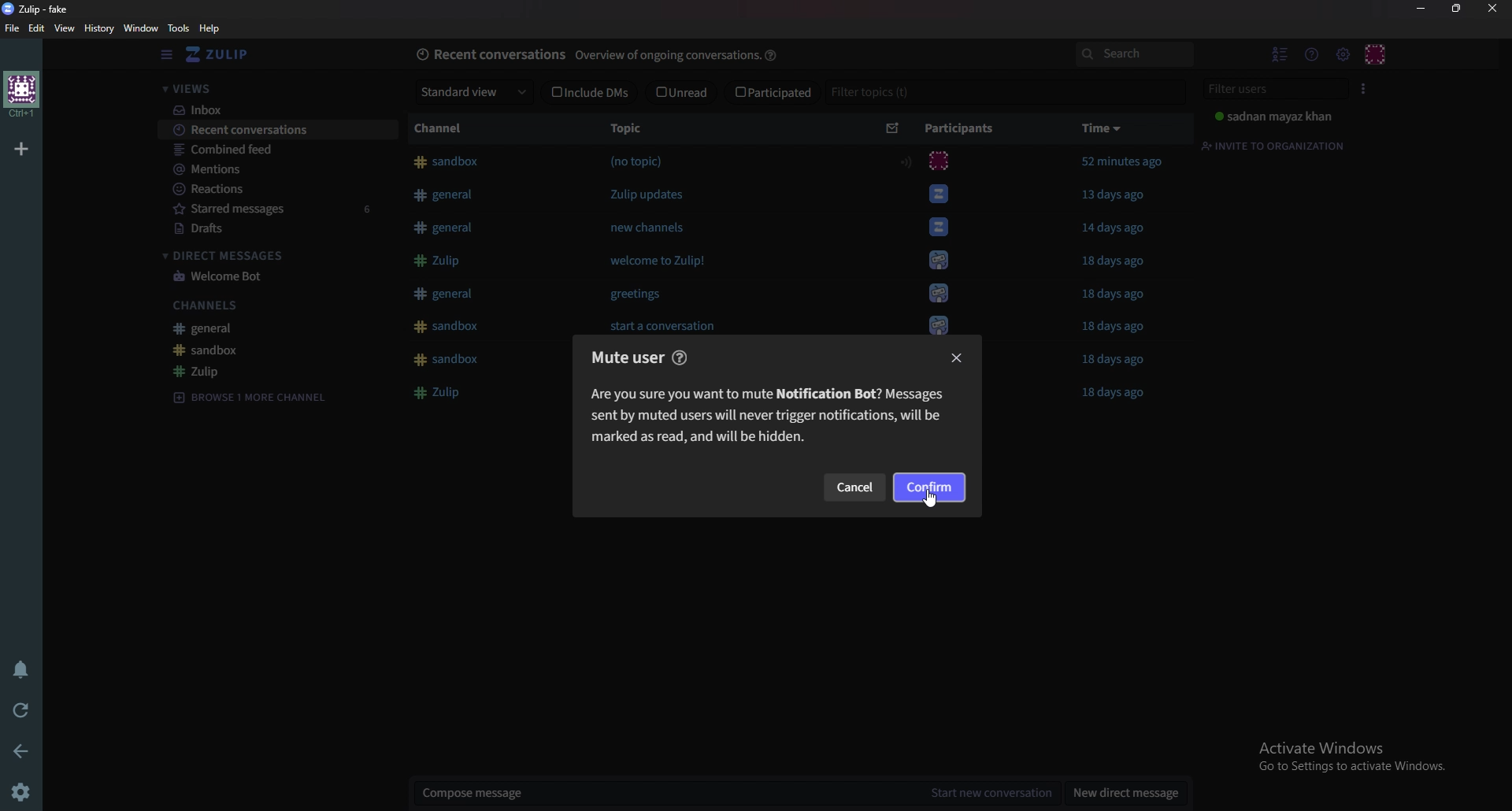  I want to click on Channels, so click(254, 305).